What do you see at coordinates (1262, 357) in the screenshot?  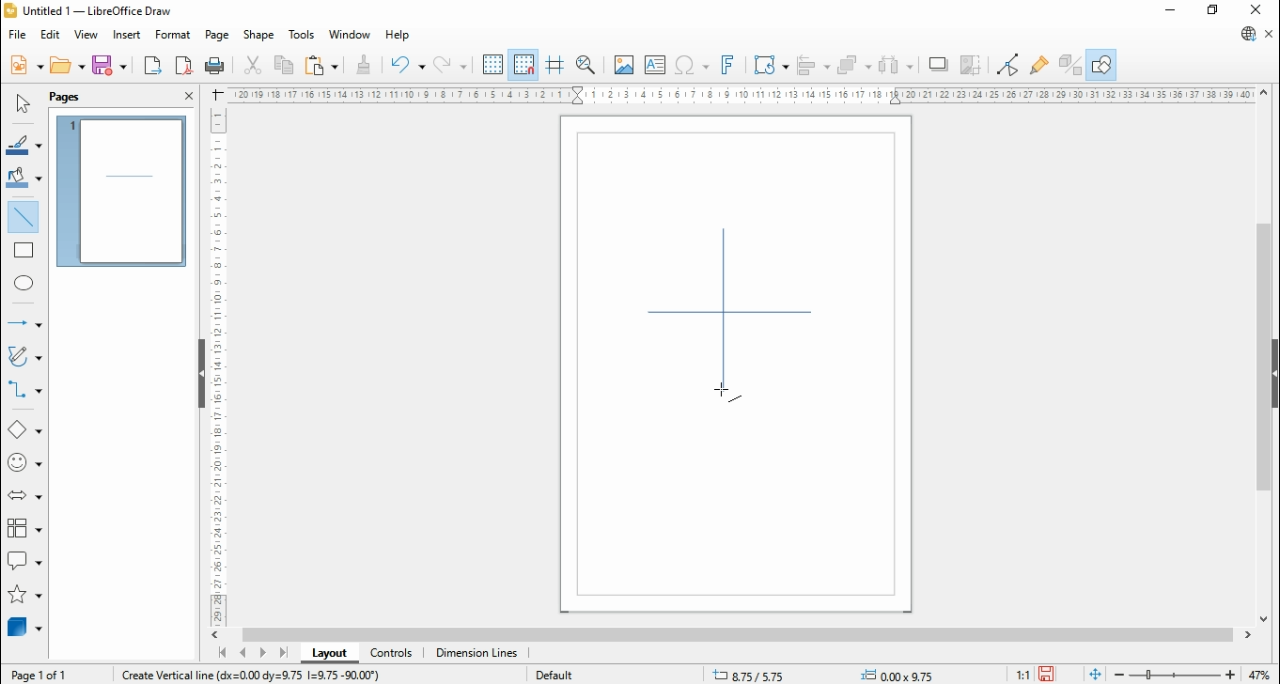 I see `scroll bar` at bounding box center [1262, 357].